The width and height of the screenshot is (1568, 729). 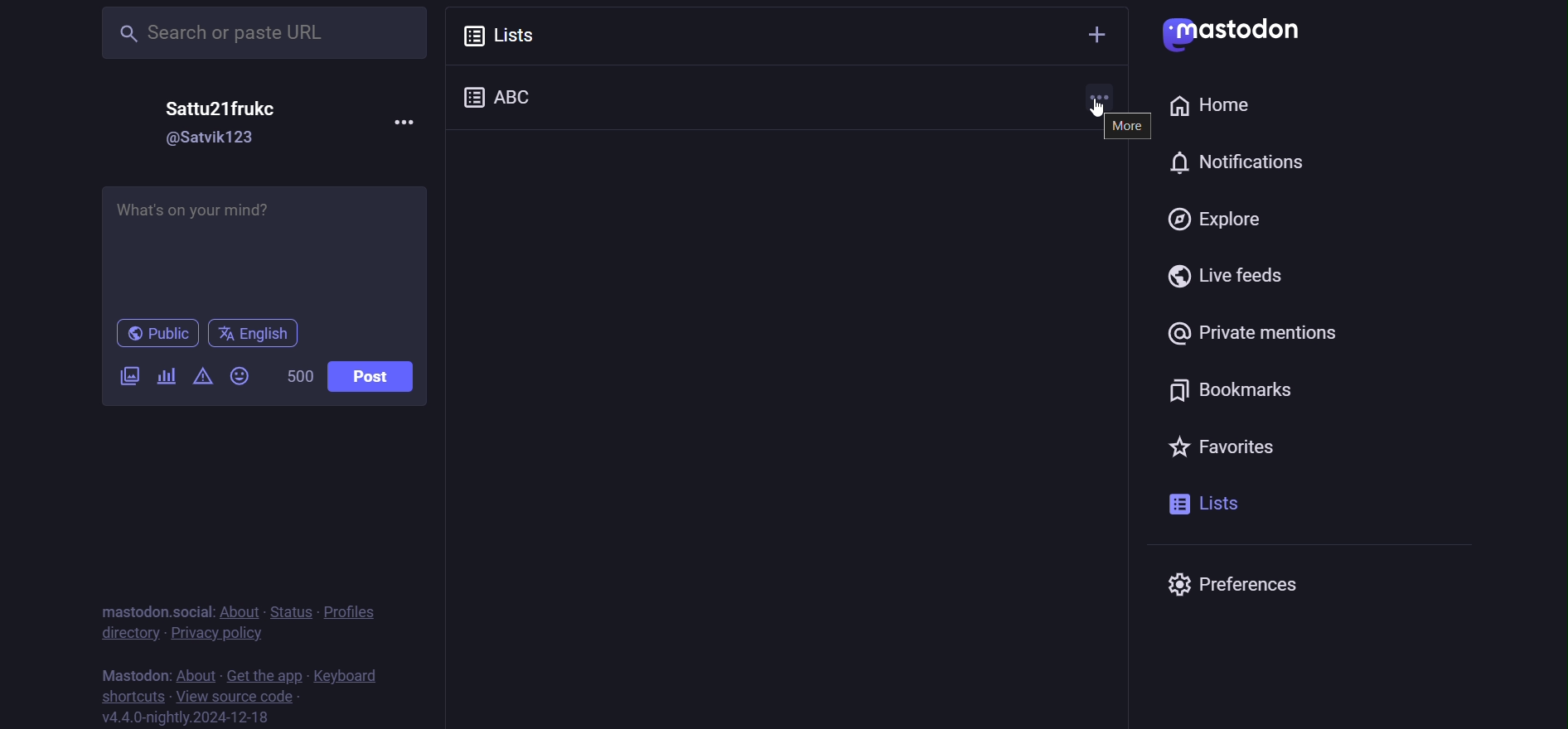 What do you see at coordinates (267, 246) in the screenshot?
I see `post here` at bounding box center [267, 246].